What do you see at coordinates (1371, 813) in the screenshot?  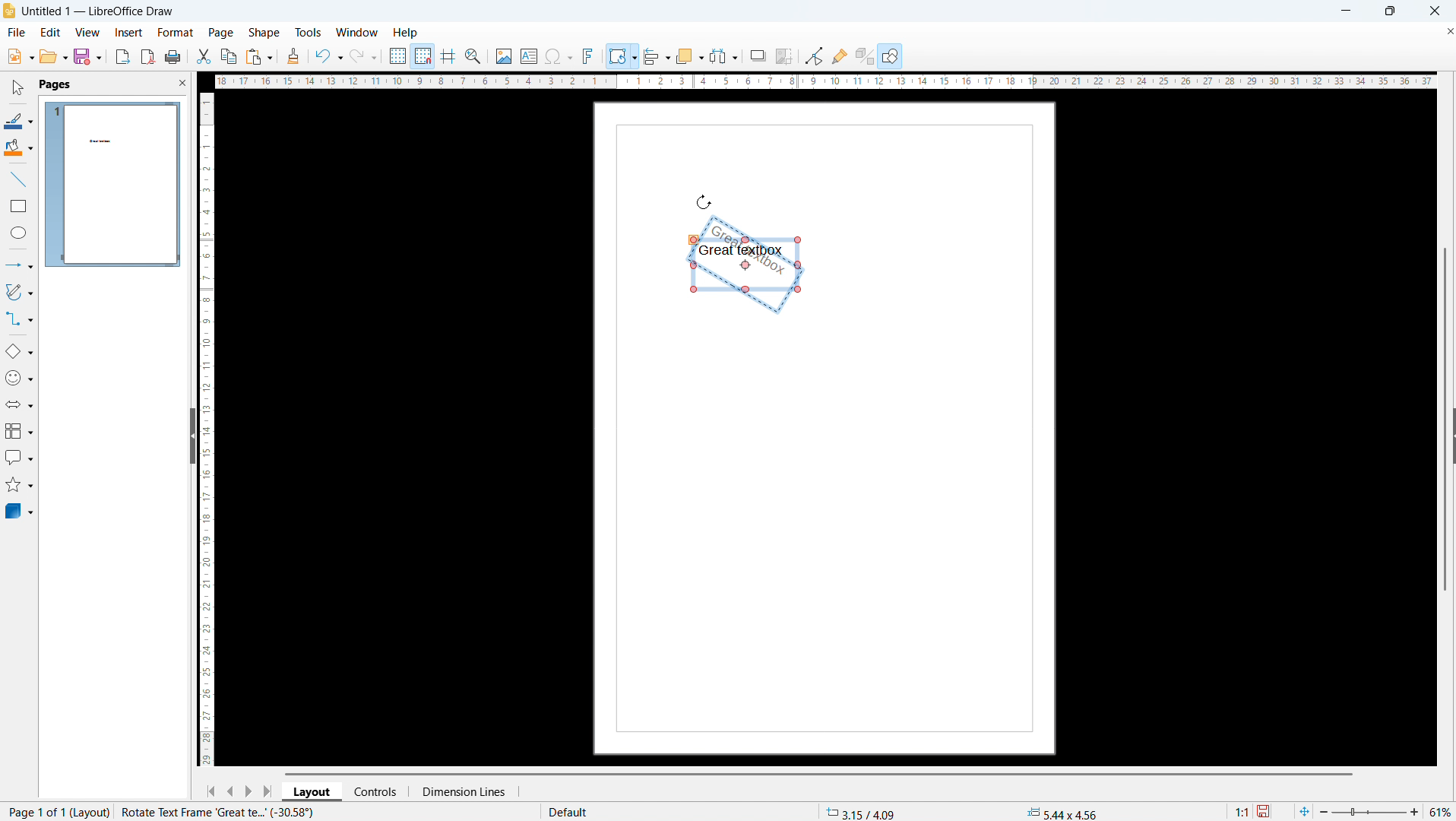 I see `Zoom slider` at bounding box center [1371, 813].